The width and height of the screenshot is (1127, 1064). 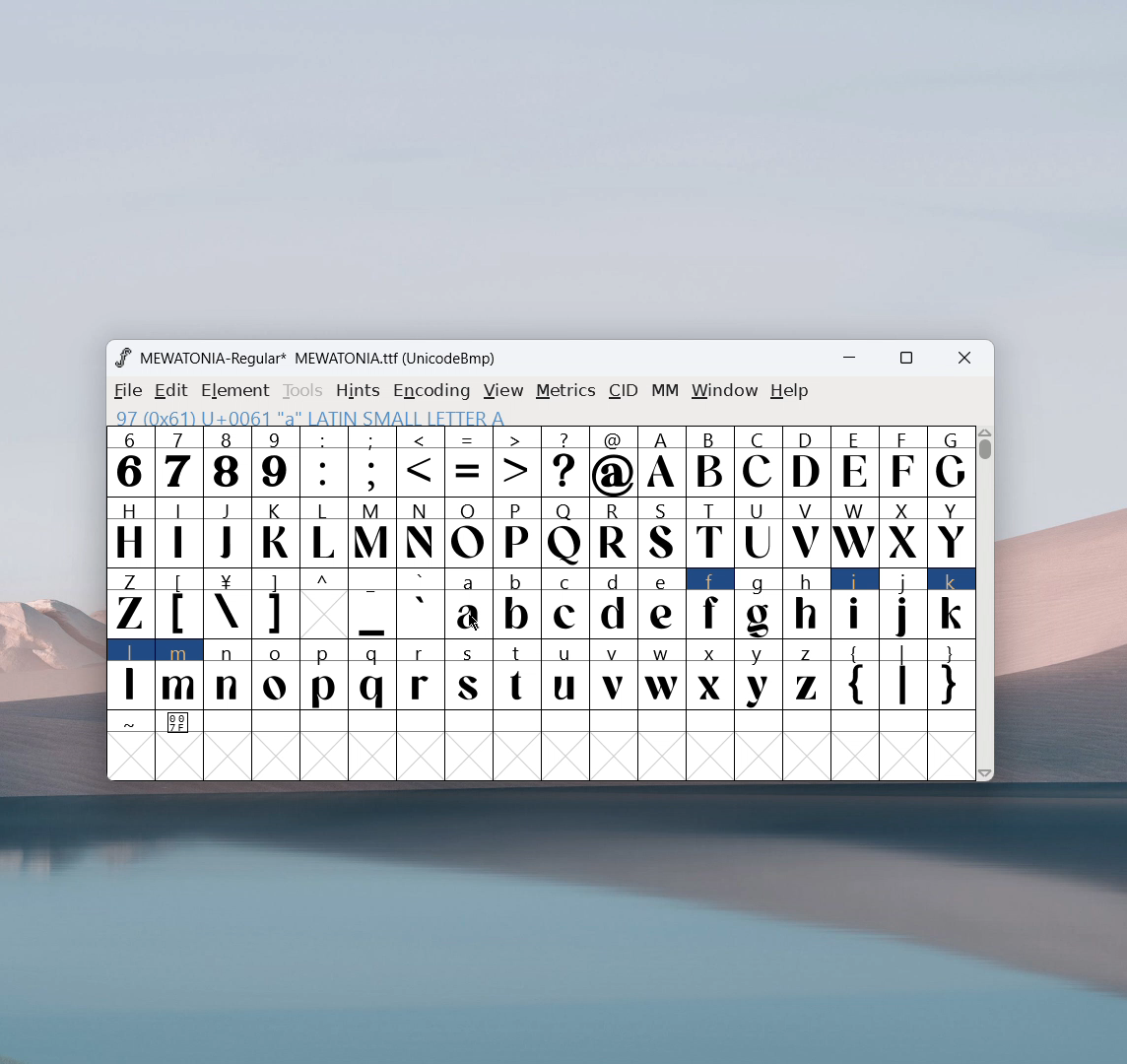 What do you see at coordinates (131, 723) in the screenshot?
I see `~` at bounding box center [131, 723].